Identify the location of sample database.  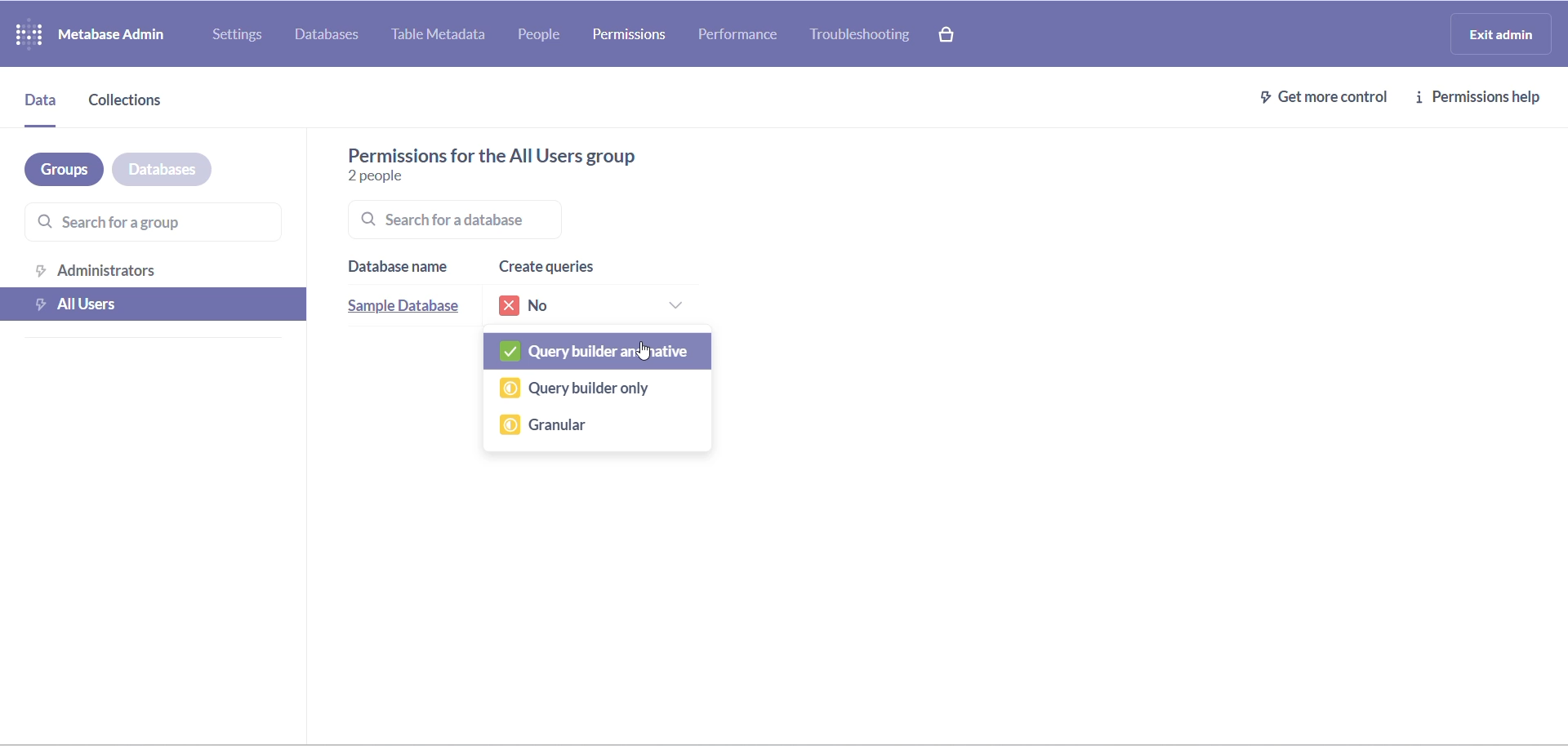
(410, 309).